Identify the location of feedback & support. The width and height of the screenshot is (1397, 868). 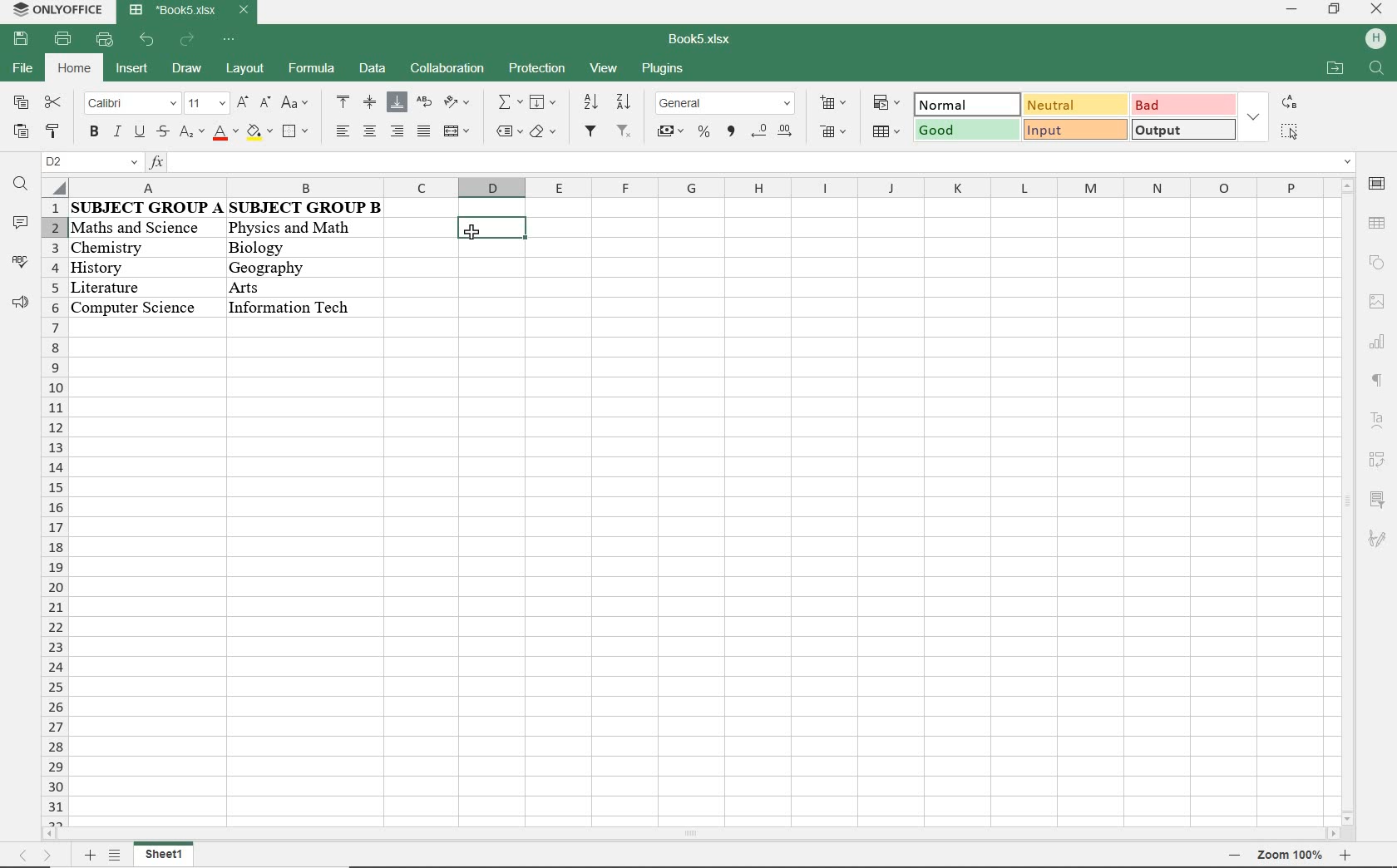
(21, 303).